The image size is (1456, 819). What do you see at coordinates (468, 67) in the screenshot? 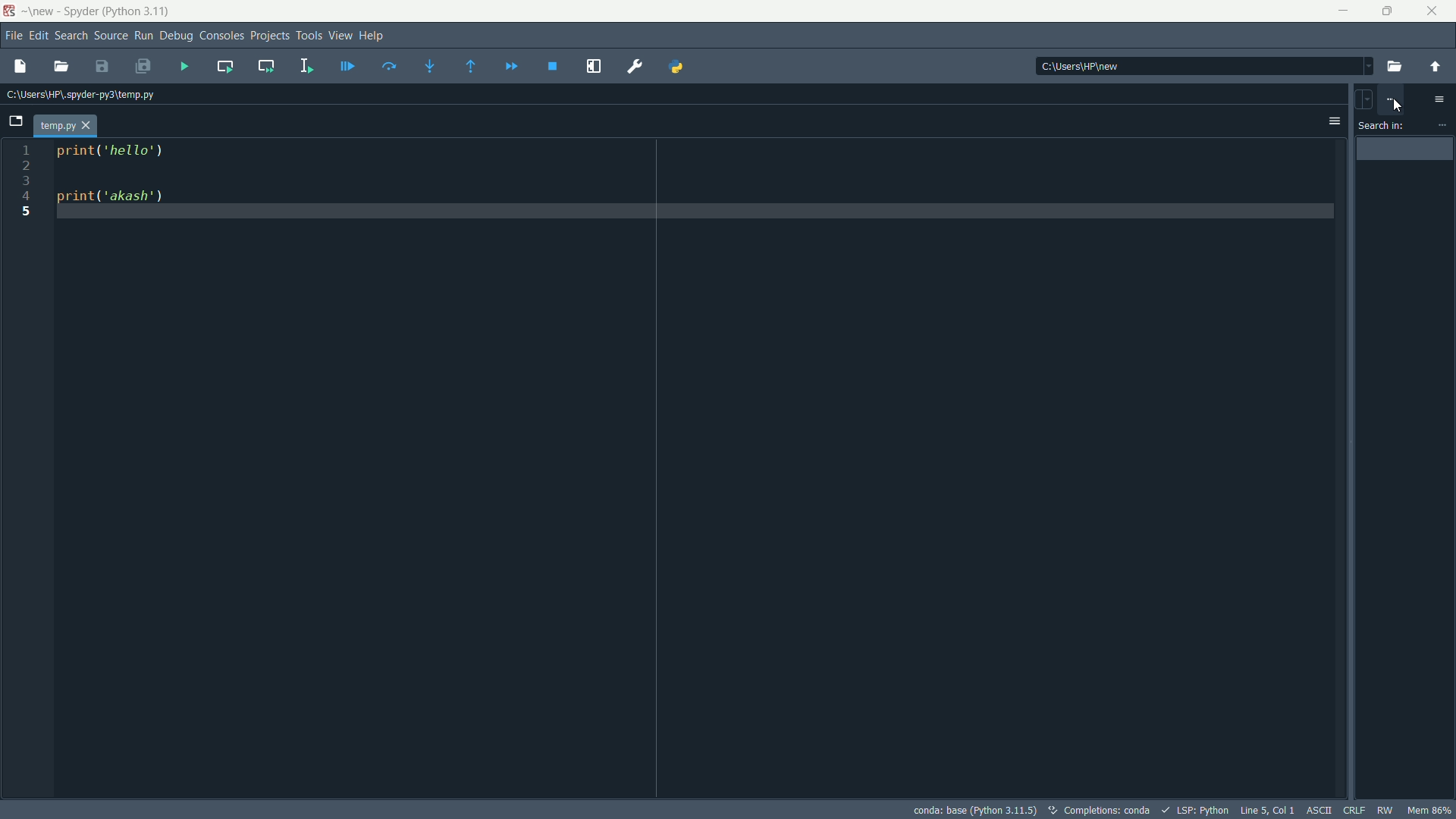
I see `Run until current function` at bounding box center [468, 67].